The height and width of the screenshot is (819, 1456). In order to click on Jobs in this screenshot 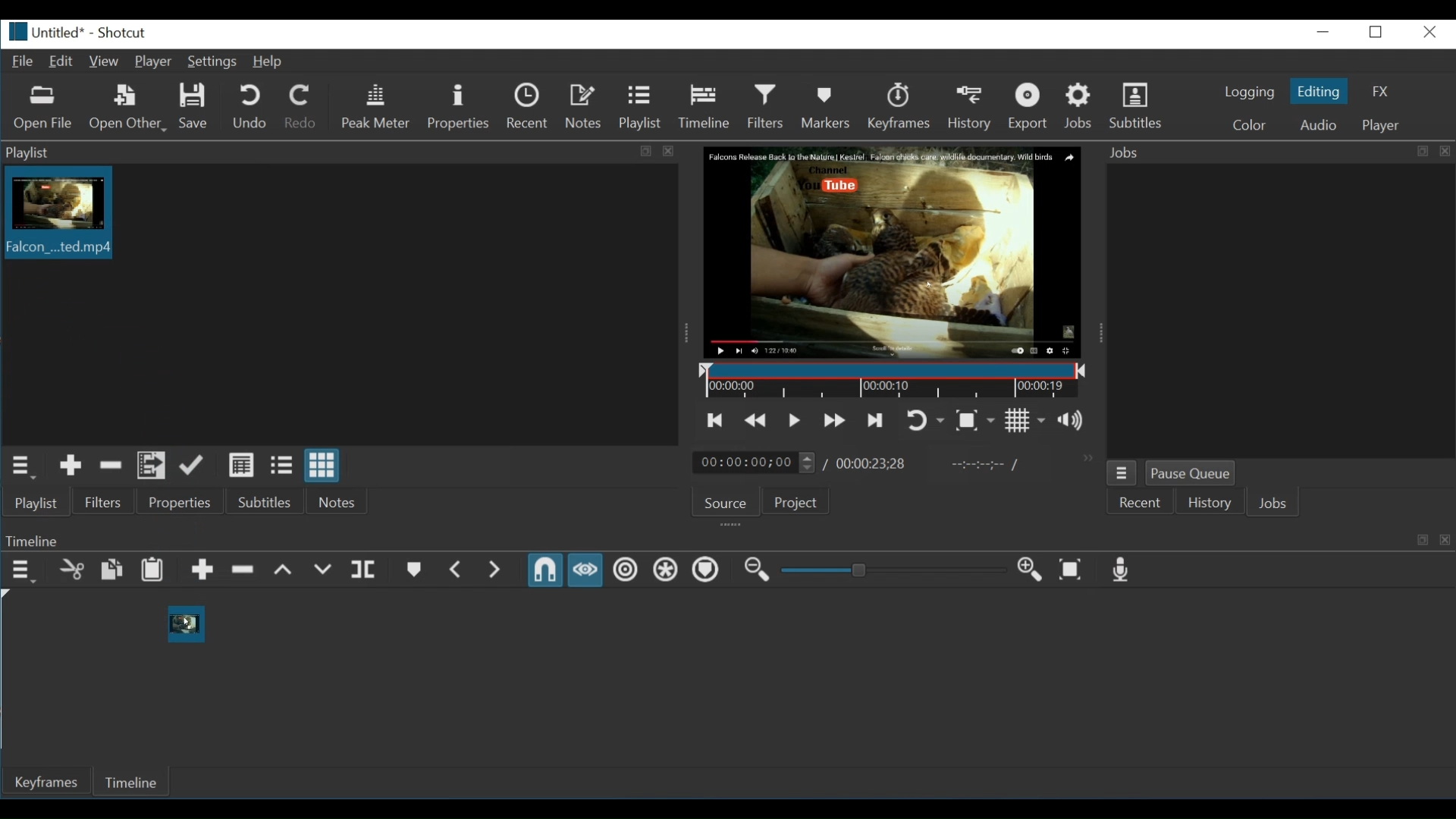, I will do `click(1272, 504)`.